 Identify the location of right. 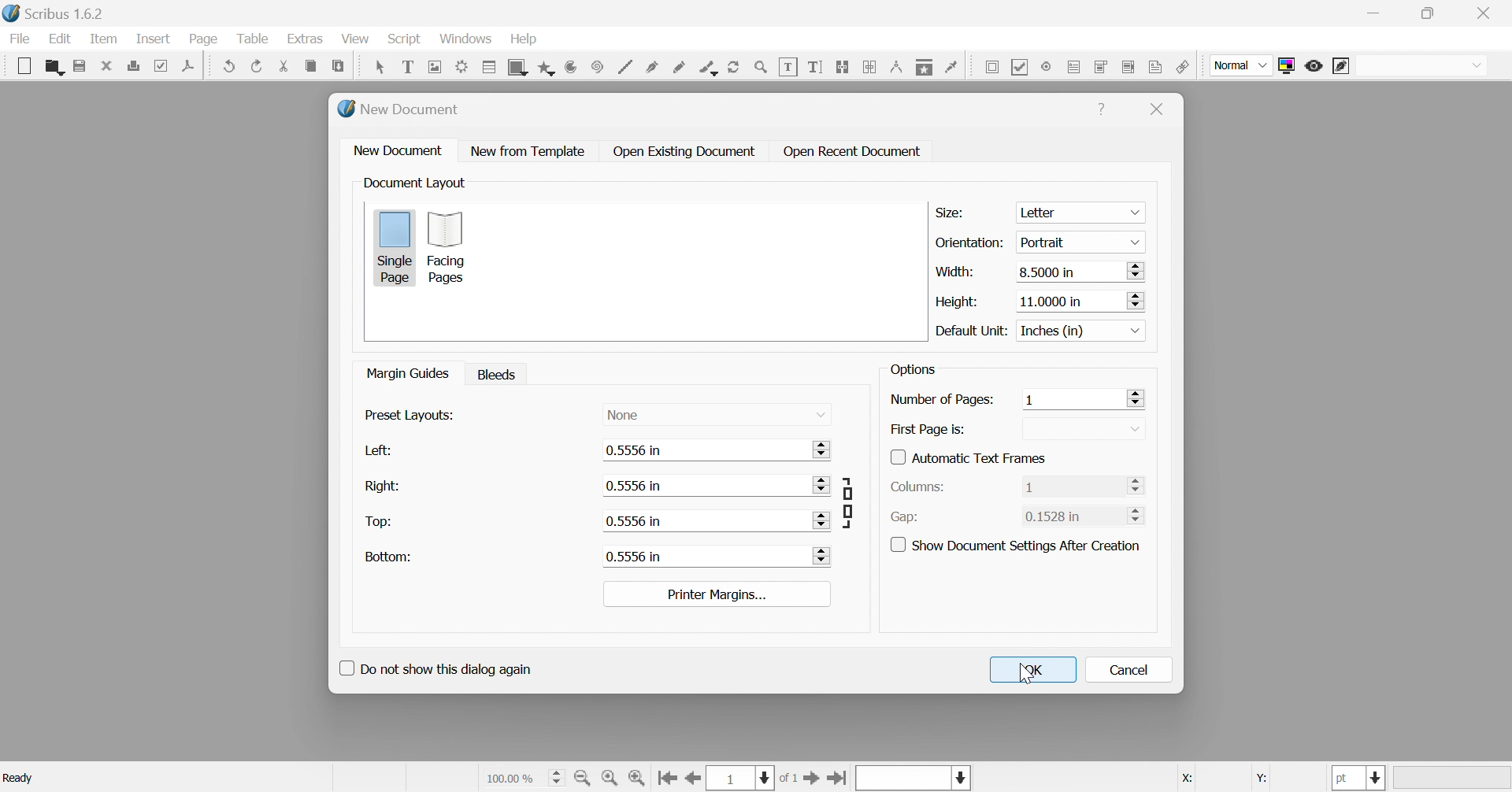
(378, 486).